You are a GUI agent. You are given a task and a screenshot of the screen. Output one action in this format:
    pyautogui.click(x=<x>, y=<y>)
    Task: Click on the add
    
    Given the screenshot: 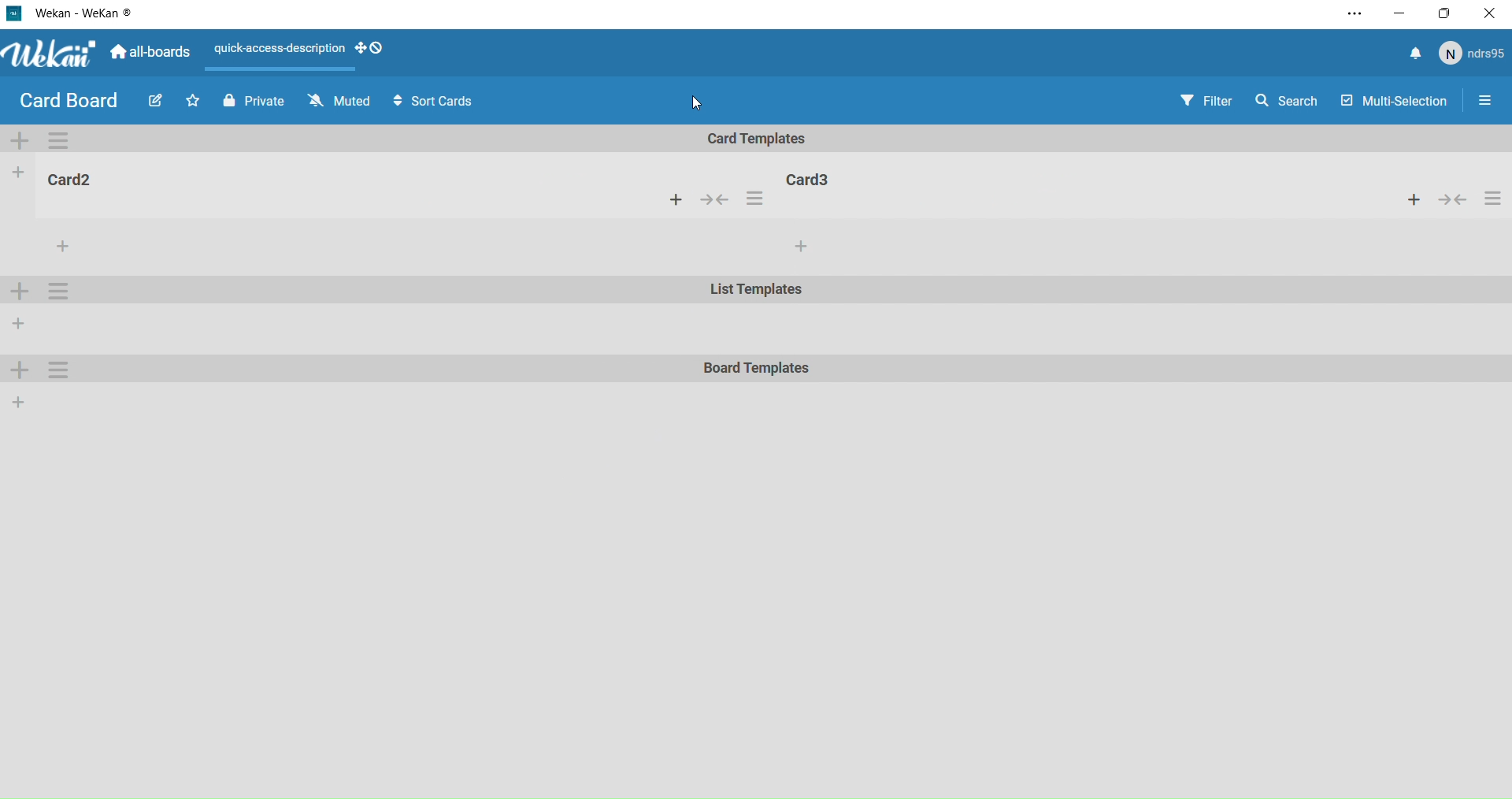 What is the action you would take?
    pyautogui.click(x=20, y=405)
    